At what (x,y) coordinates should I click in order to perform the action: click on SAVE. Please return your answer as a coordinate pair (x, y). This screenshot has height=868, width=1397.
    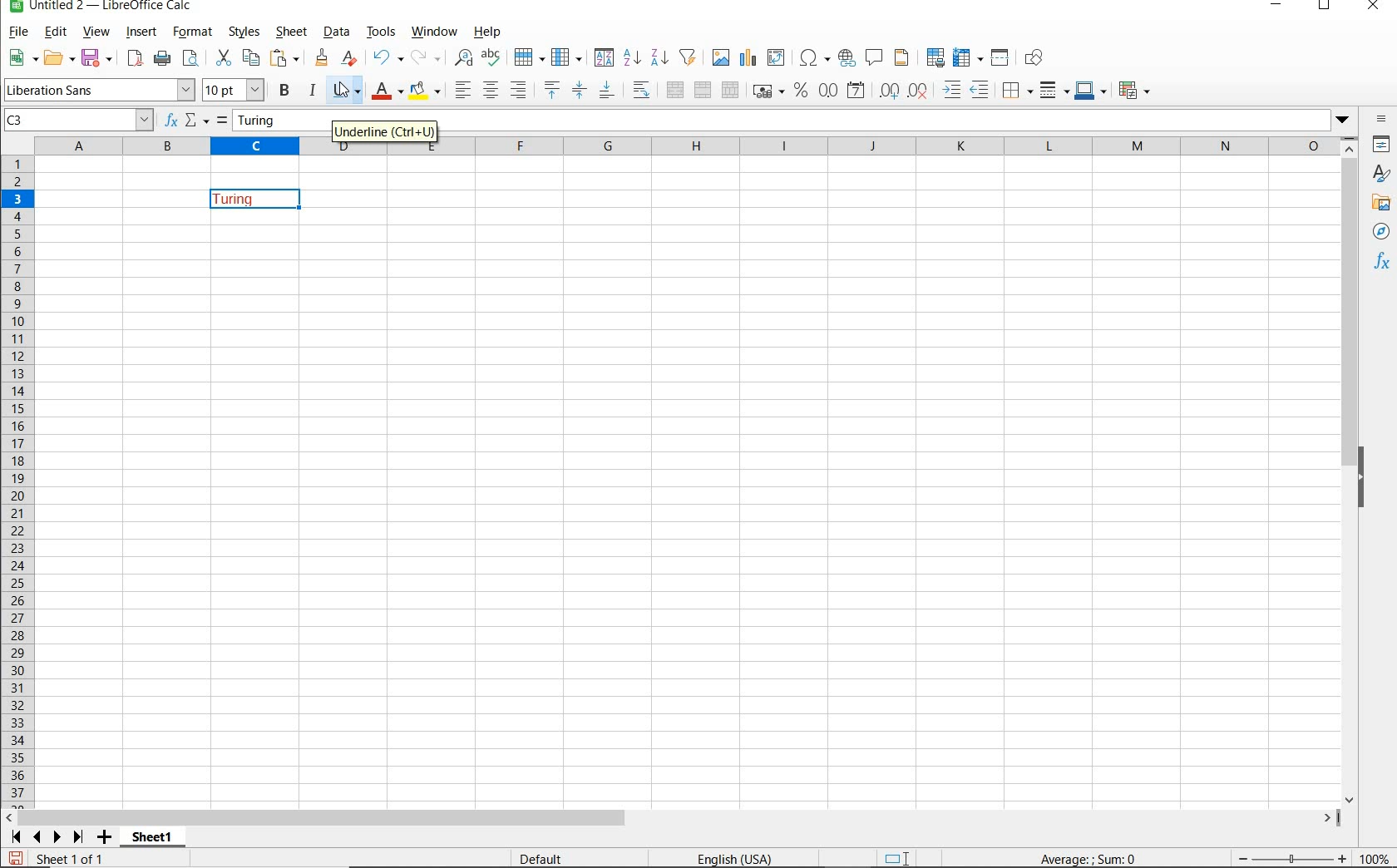
    Looking at the image, I should click on (16, 858).